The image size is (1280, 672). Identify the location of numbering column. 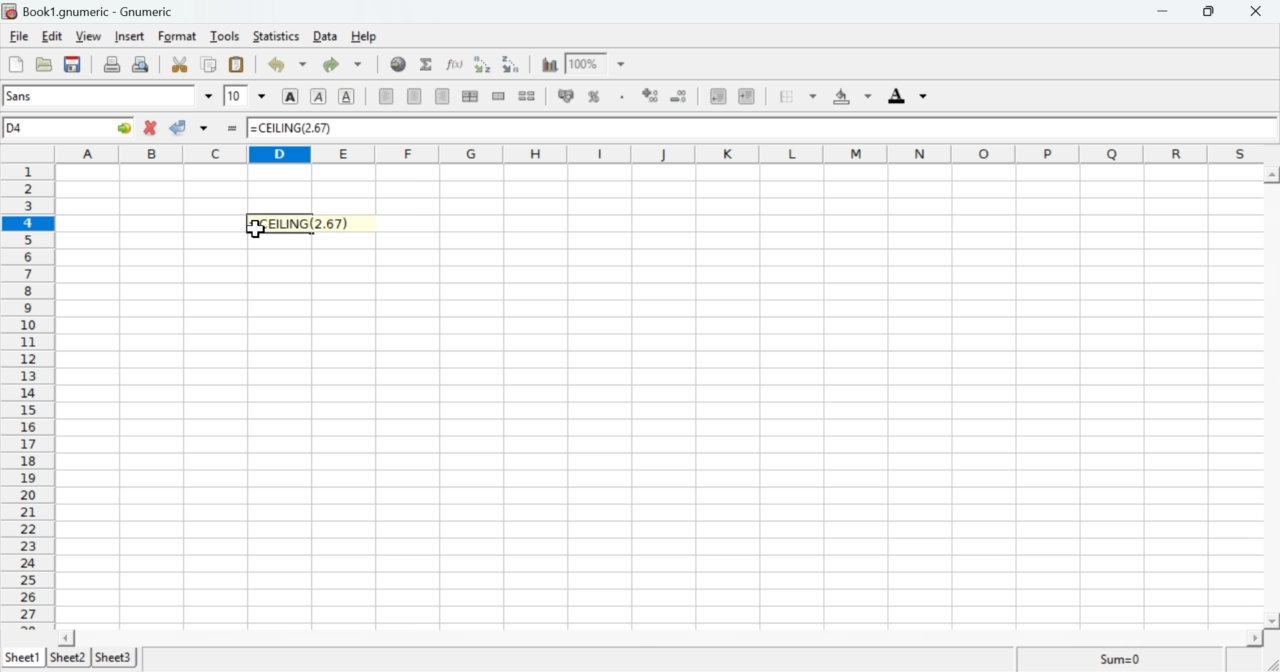
(28, 394).